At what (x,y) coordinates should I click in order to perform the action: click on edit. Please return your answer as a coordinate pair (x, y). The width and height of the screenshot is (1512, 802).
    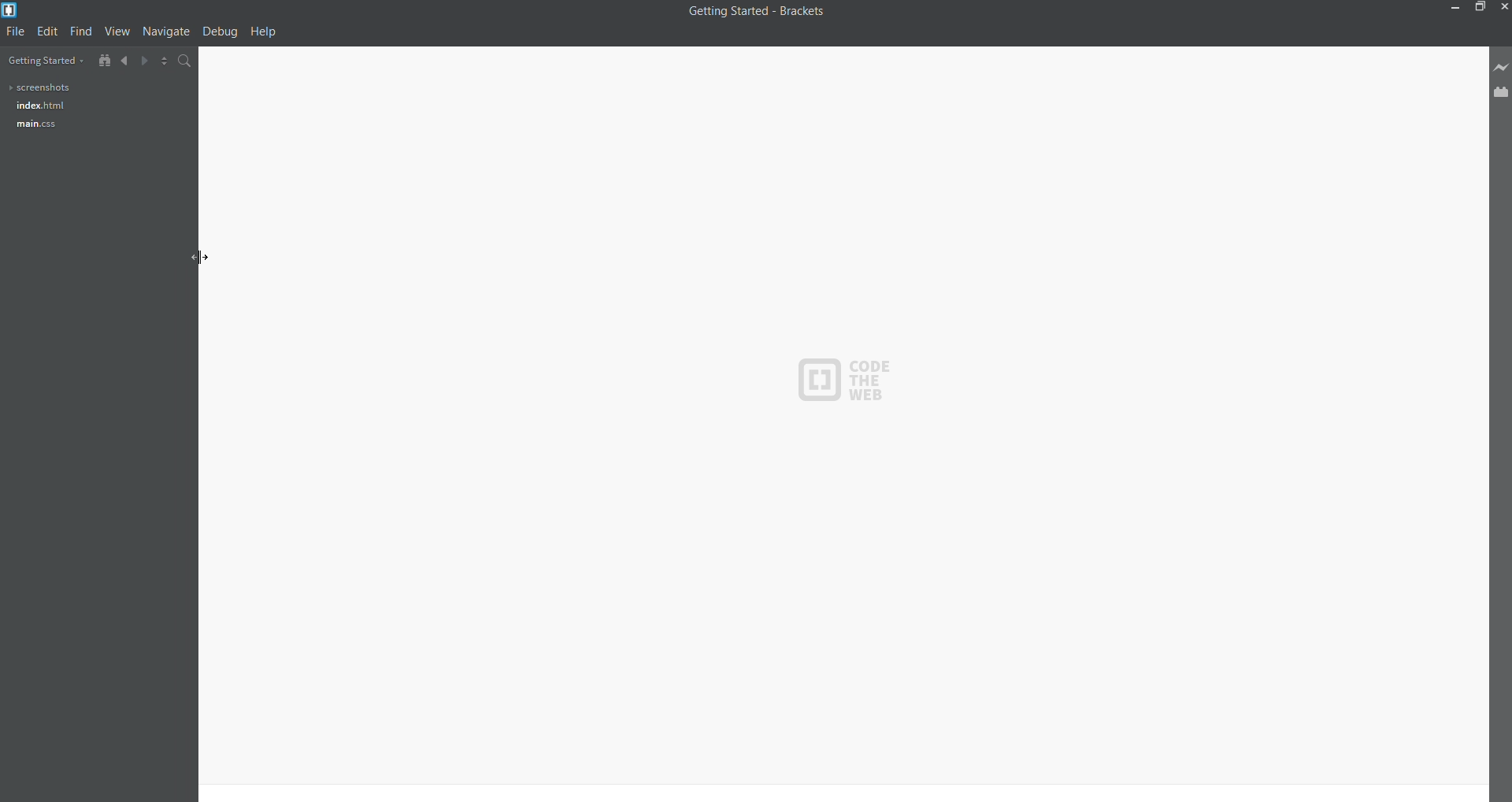
    Looking at the image, I should click on (46, 32).